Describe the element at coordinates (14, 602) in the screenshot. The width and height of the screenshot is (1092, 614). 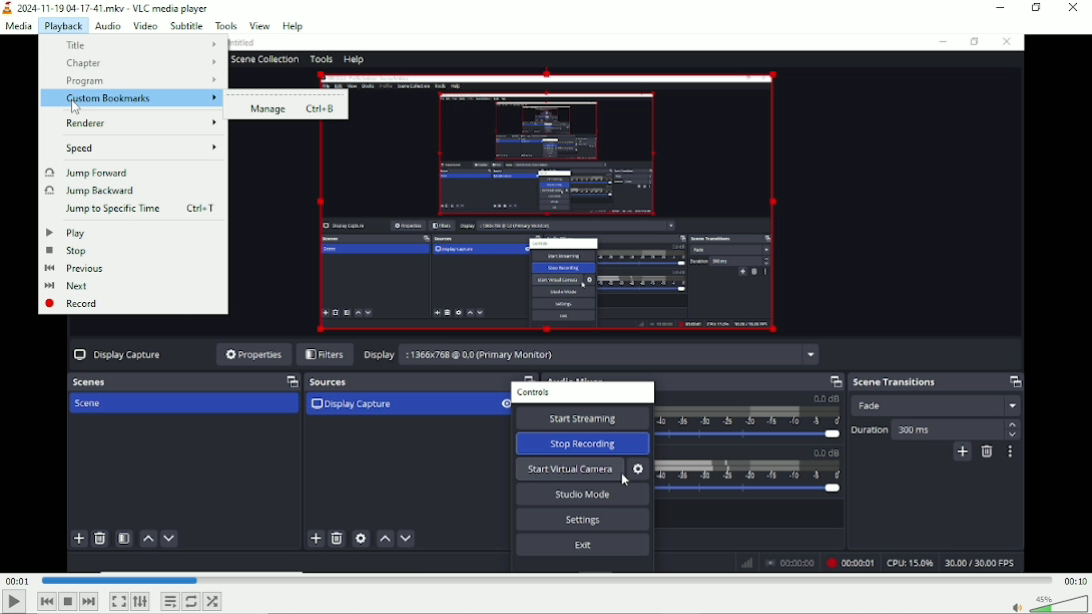
I see `Play` at that location.